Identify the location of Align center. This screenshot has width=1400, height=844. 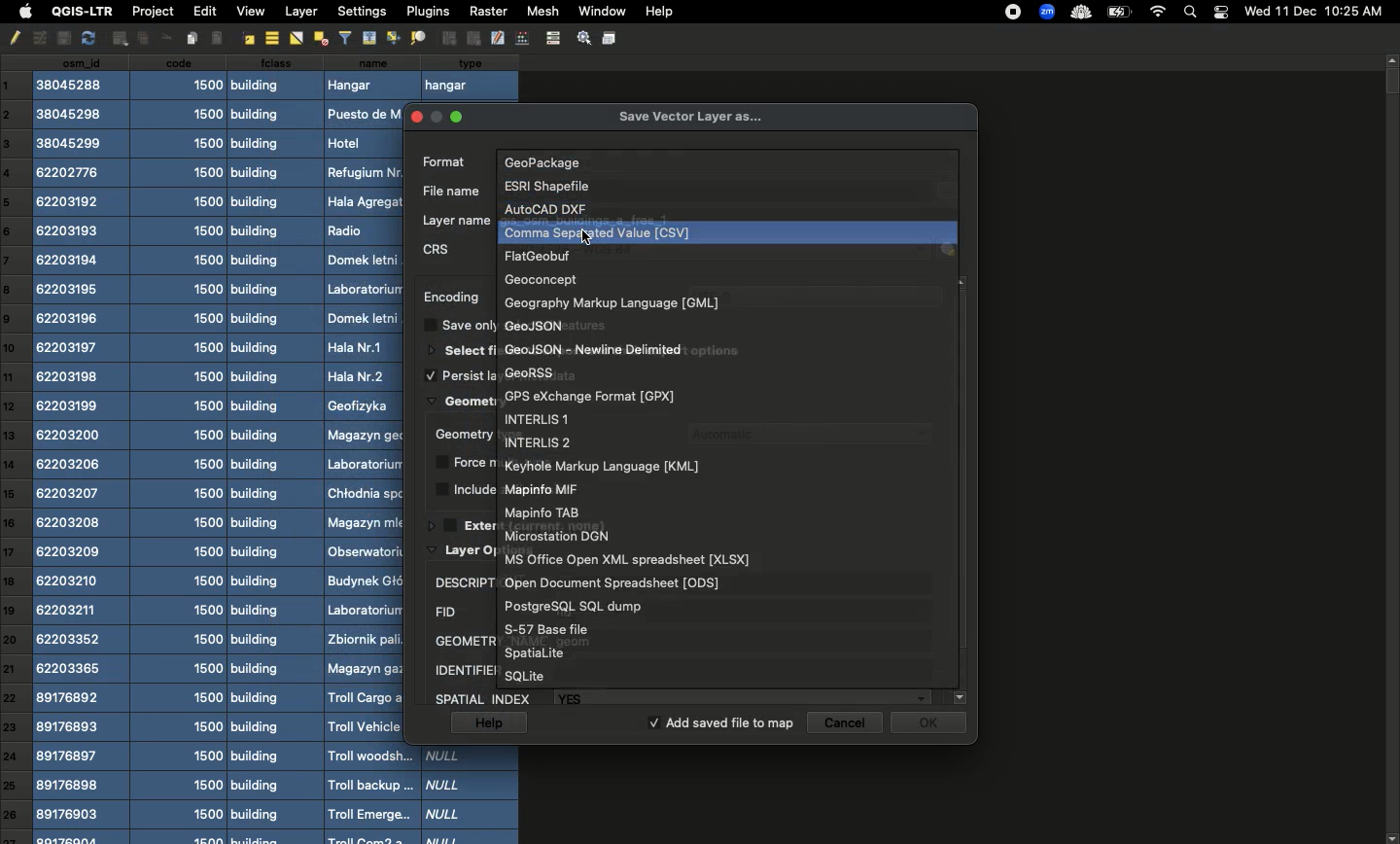
(270, 38).